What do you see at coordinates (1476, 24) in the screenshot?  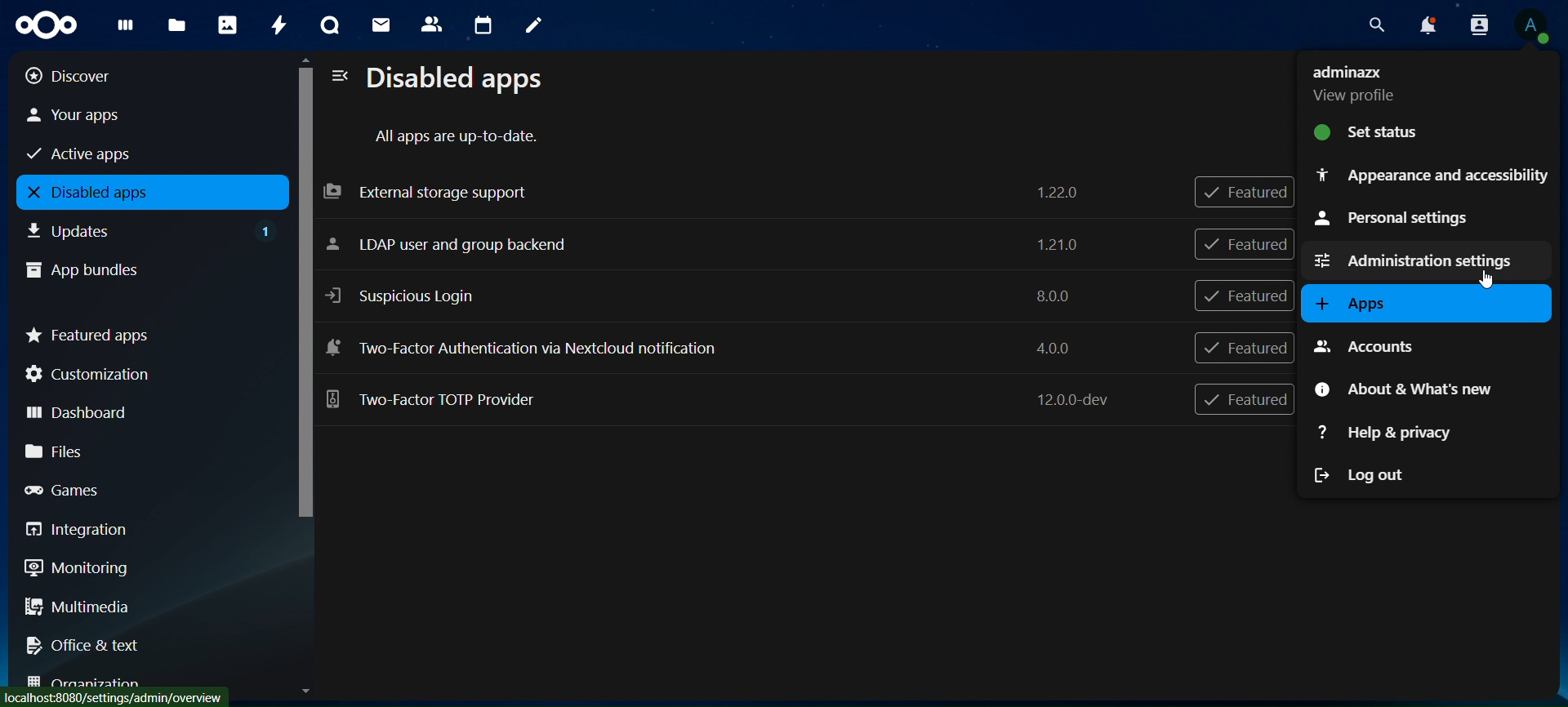 I see `notification` at bounding box center [1476, 24].